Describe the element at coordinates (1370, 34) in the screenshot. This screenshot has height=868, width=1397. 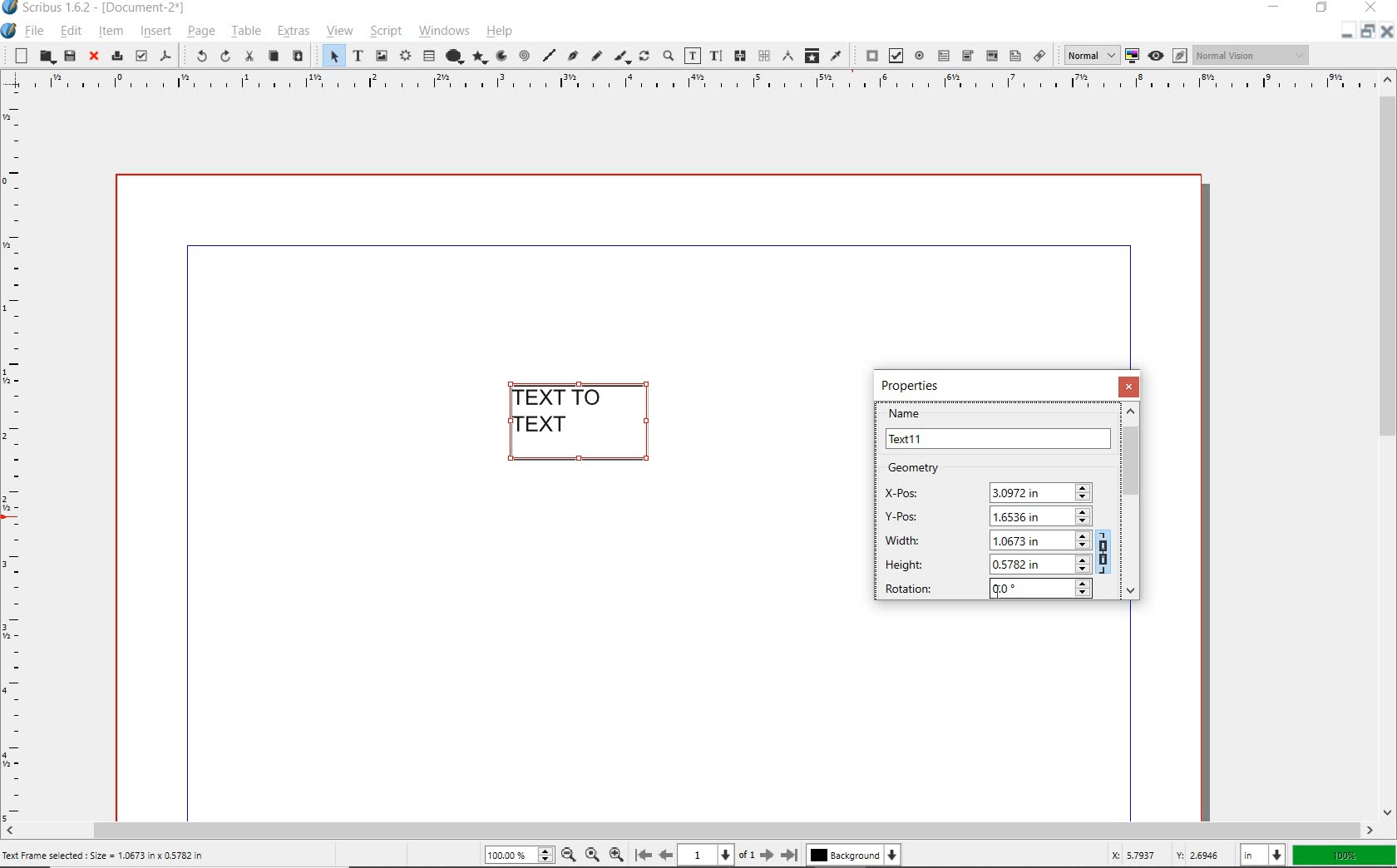
I see `restore` at that location.